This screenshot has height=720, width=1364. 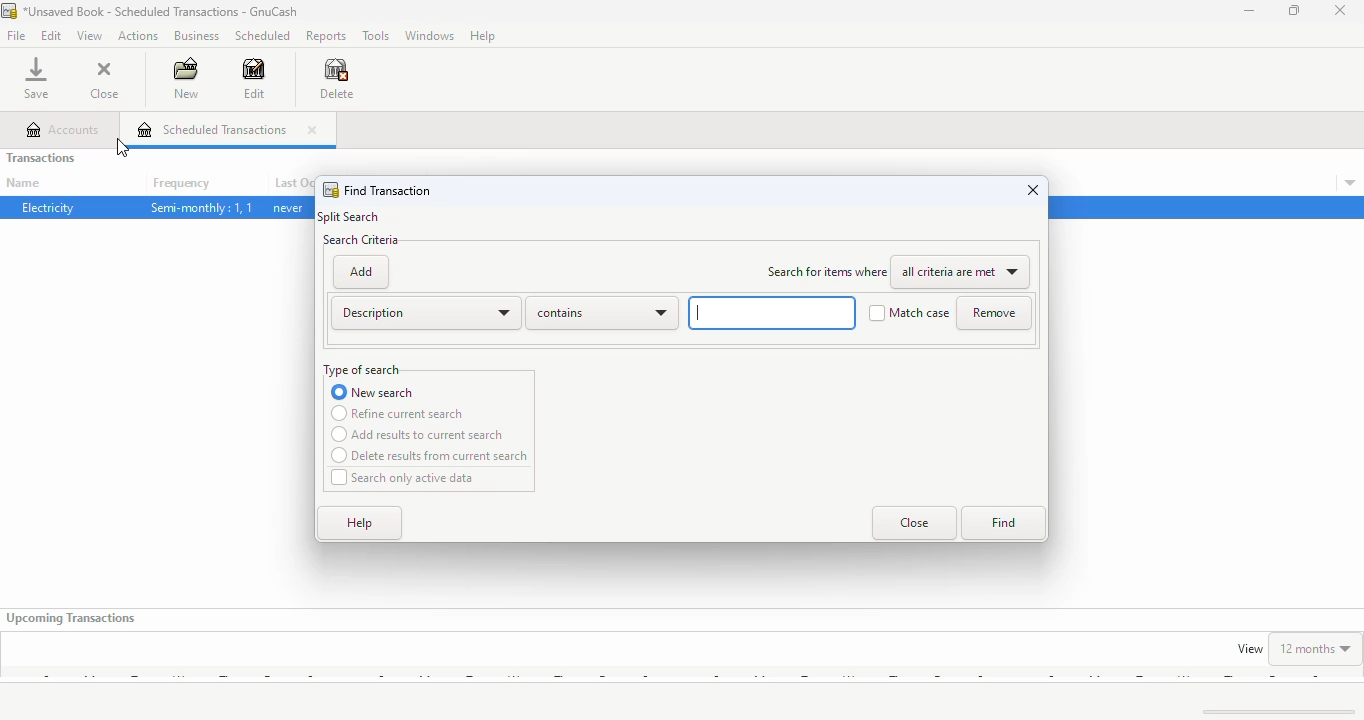 What do you see at coordinates (909, 313) in the screenshot?
I see `match case` at bounding box center [909, 313].